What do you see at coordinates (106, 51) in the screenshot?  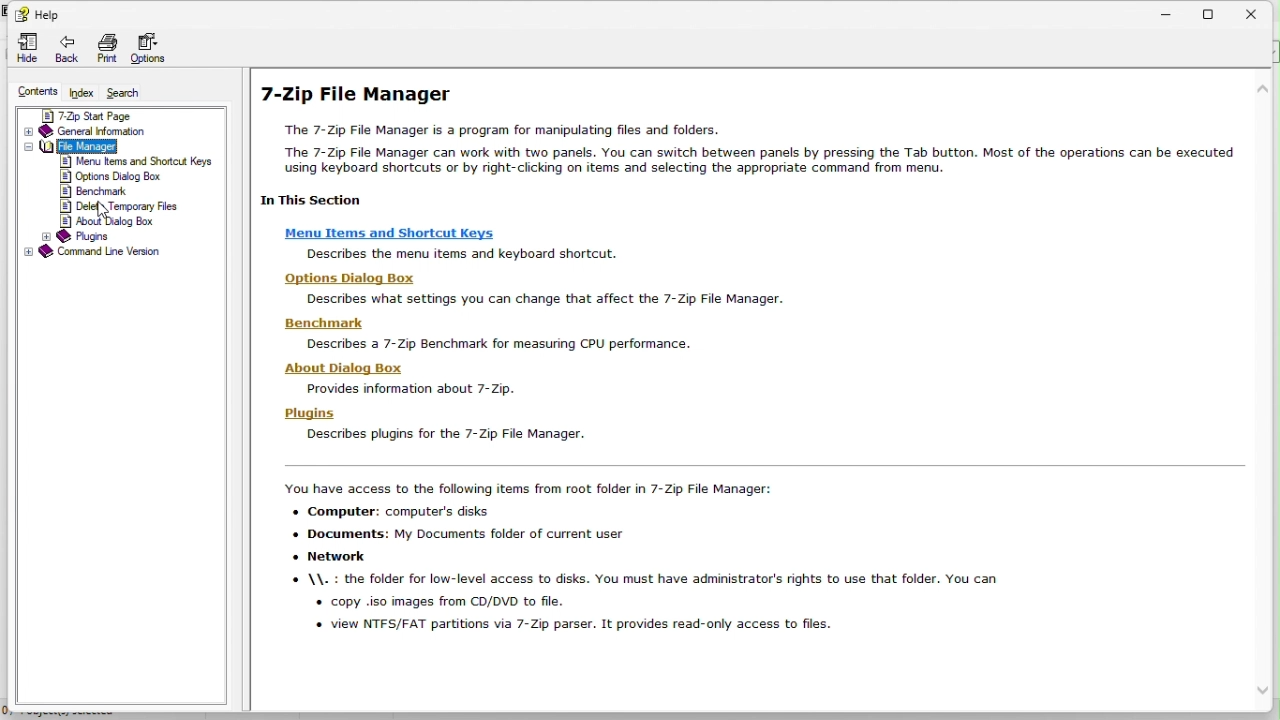 I see `Print` at bounding box center [106, 51].